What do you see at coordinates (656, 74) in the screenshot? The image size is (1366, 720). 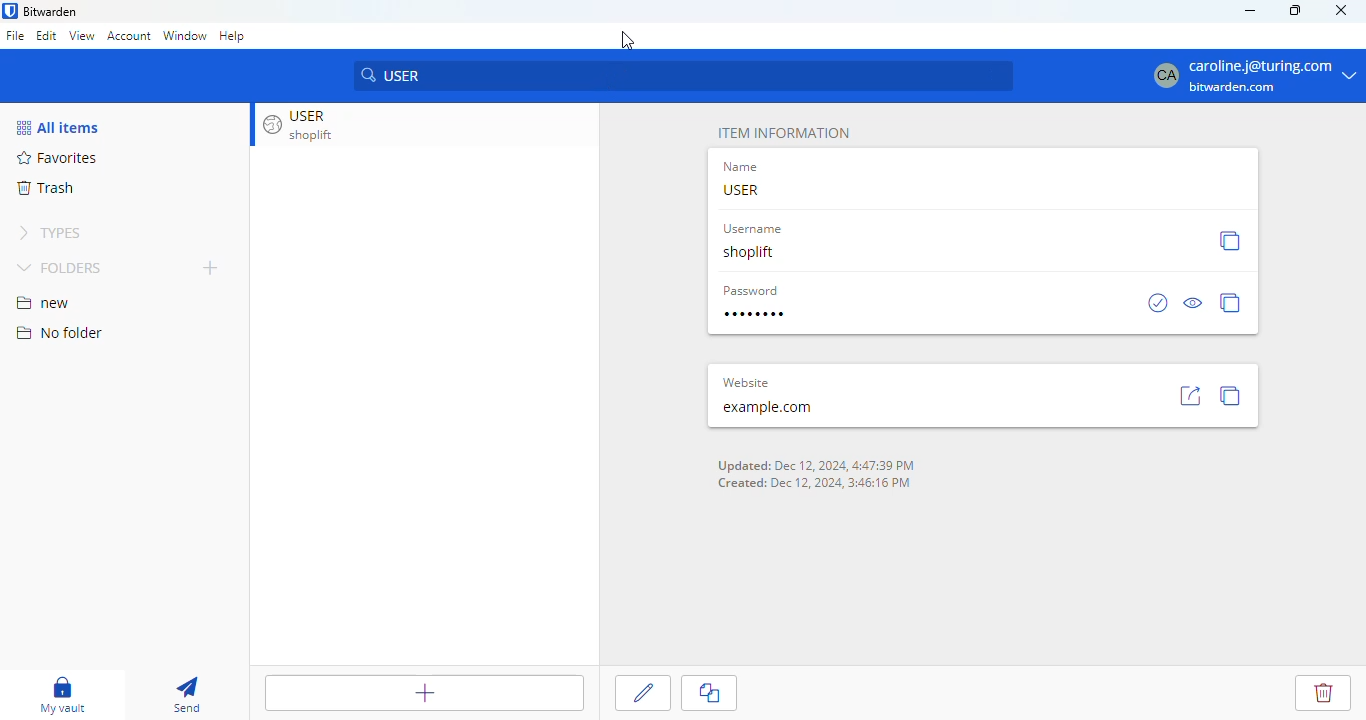 I see `USER` at bounding box center [656, 74].